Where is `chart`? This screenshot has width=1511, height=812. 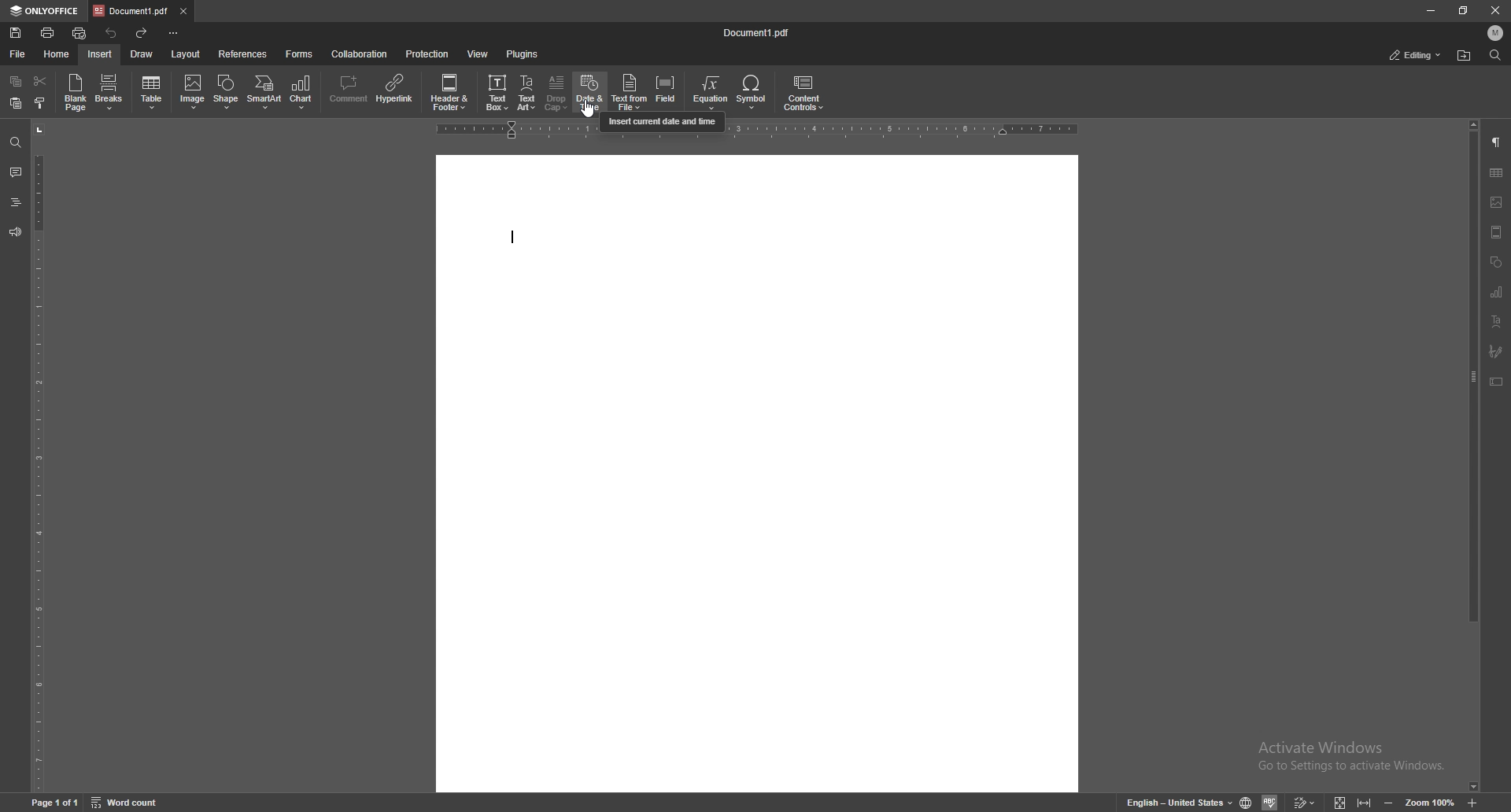 chart is located at coordinates (1498, 294).